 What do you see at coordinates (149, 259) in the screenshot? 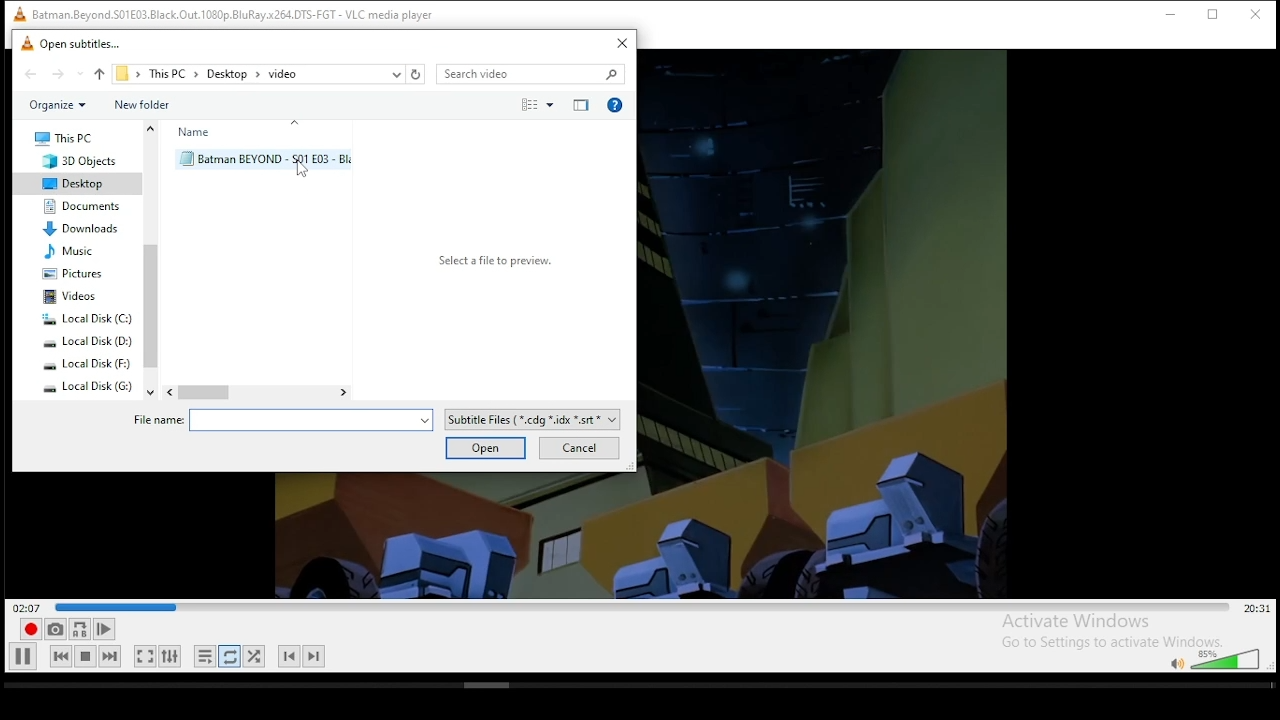
I see `scroll bar` at bounding box center [149, 259].